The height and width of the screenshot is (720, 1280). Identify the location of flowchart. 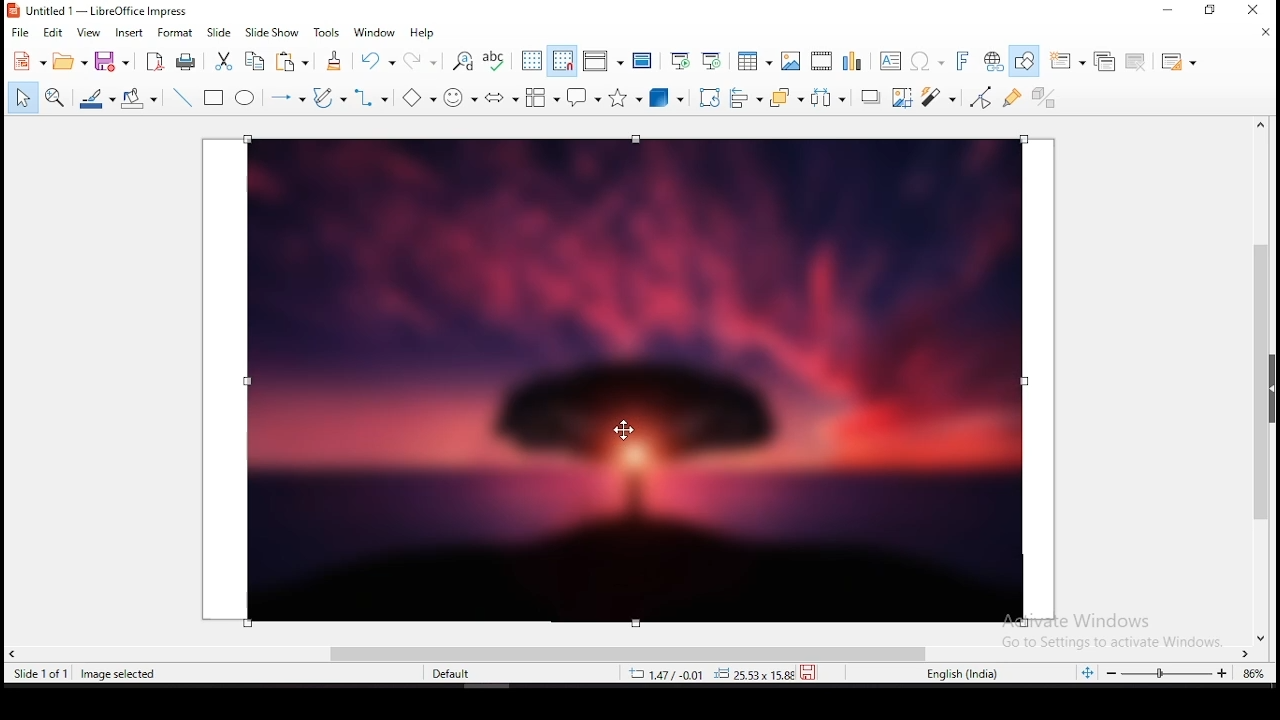
(541, 97).